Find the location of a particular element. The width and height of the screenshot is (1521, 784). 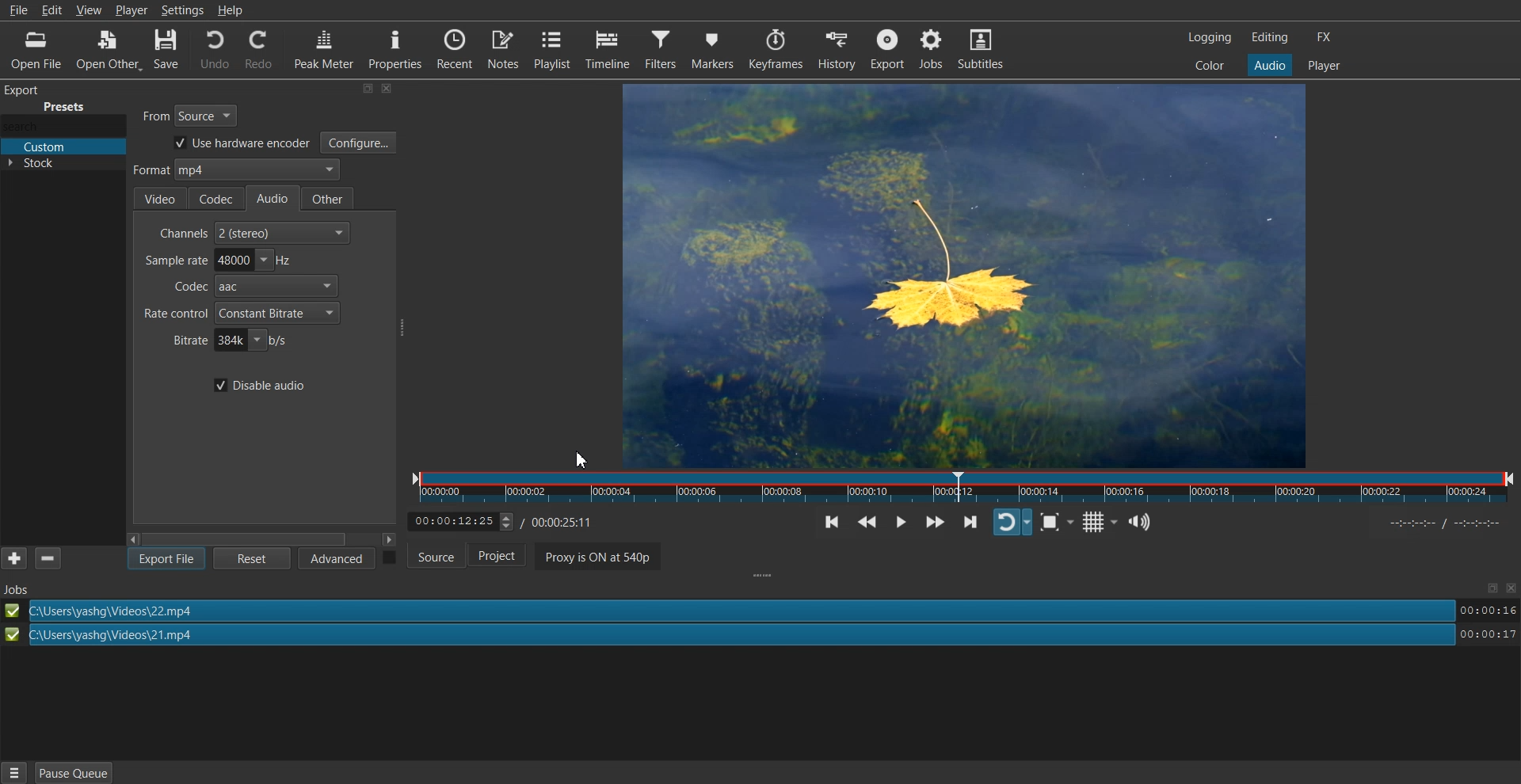

Source is located at coordinates (435, 560).